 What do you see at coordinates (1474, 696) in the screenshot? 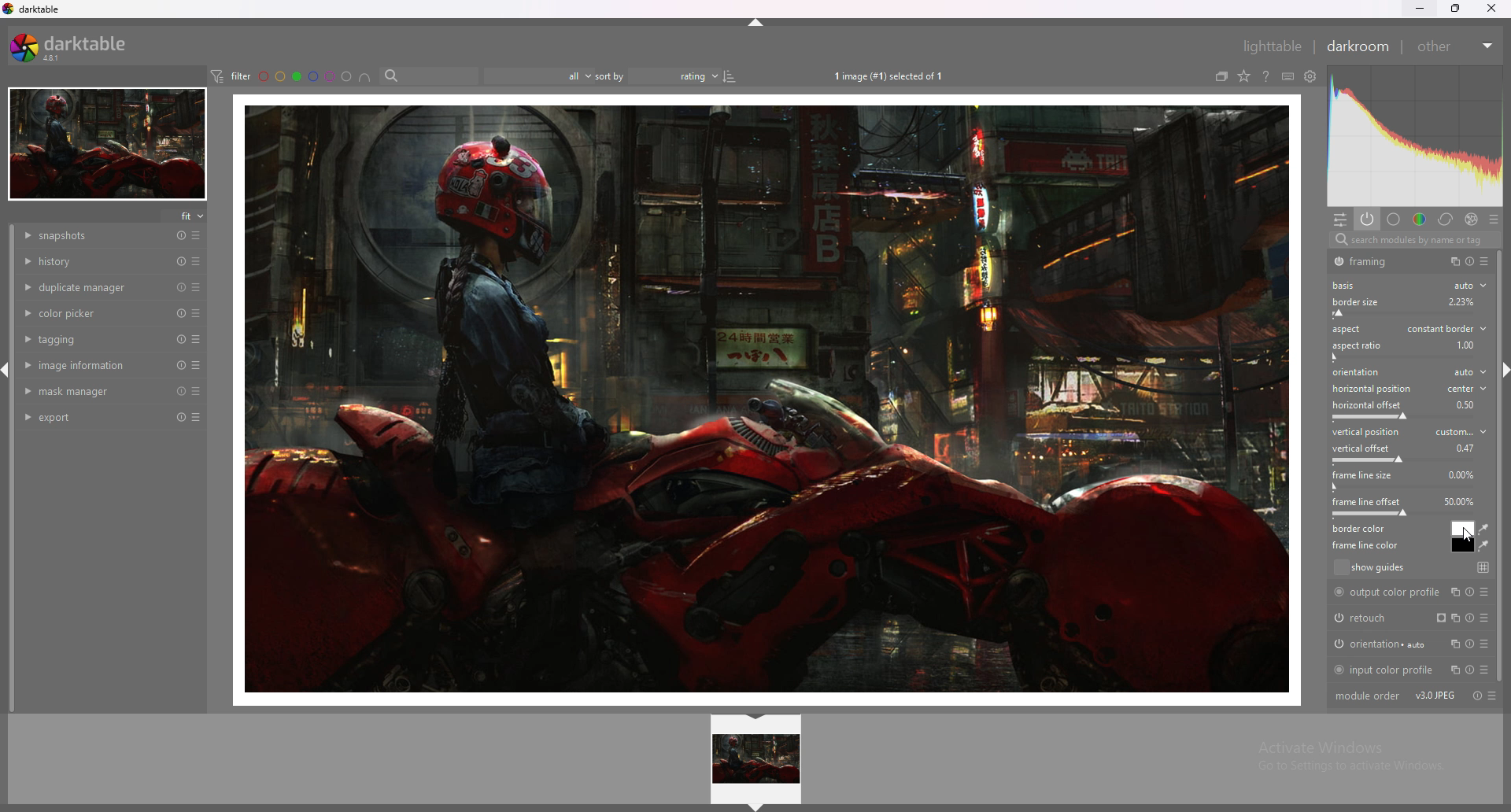
I see `toggle` at bounding box center [1474, 696].